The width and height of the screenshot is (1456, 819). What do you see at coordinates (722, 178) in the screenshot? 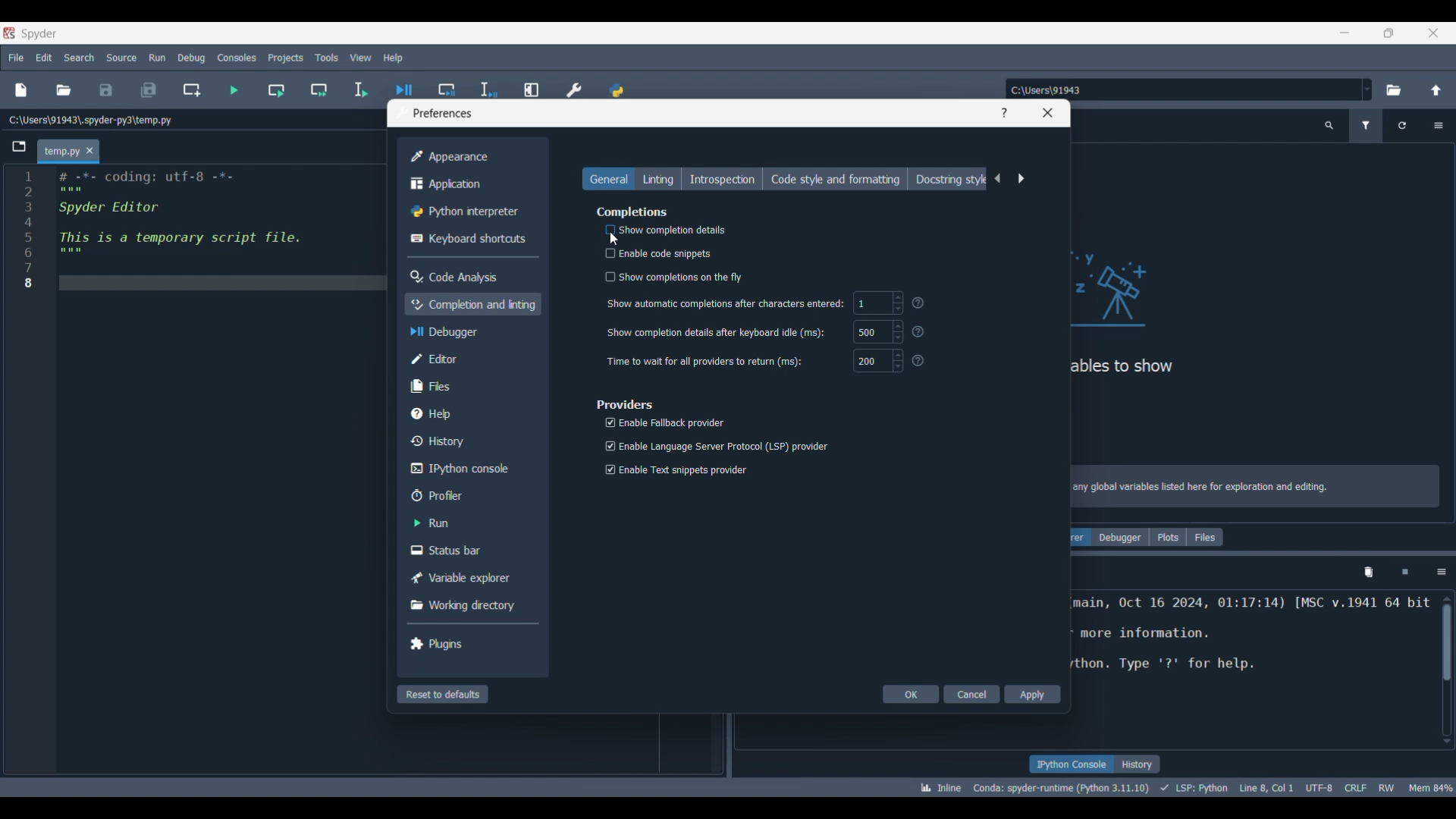
I see `Introspection` at bounding box center [722, 178].